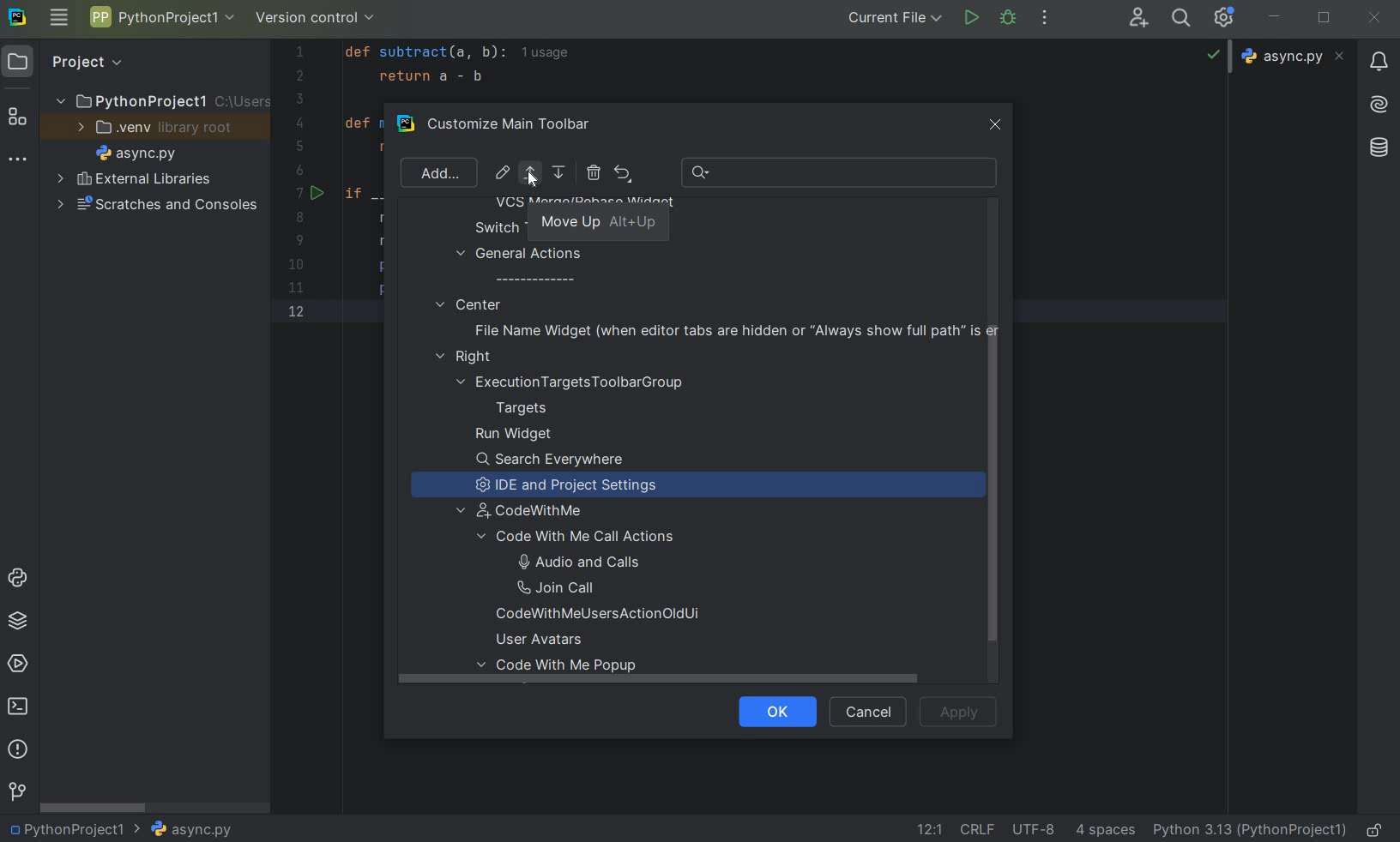 The height and width of the screenshot is (842, 1400). What do you see at coordinates (841, 172) in the screenshot?
I see `RECENT SEARCH` at bounding box center [841, 172].